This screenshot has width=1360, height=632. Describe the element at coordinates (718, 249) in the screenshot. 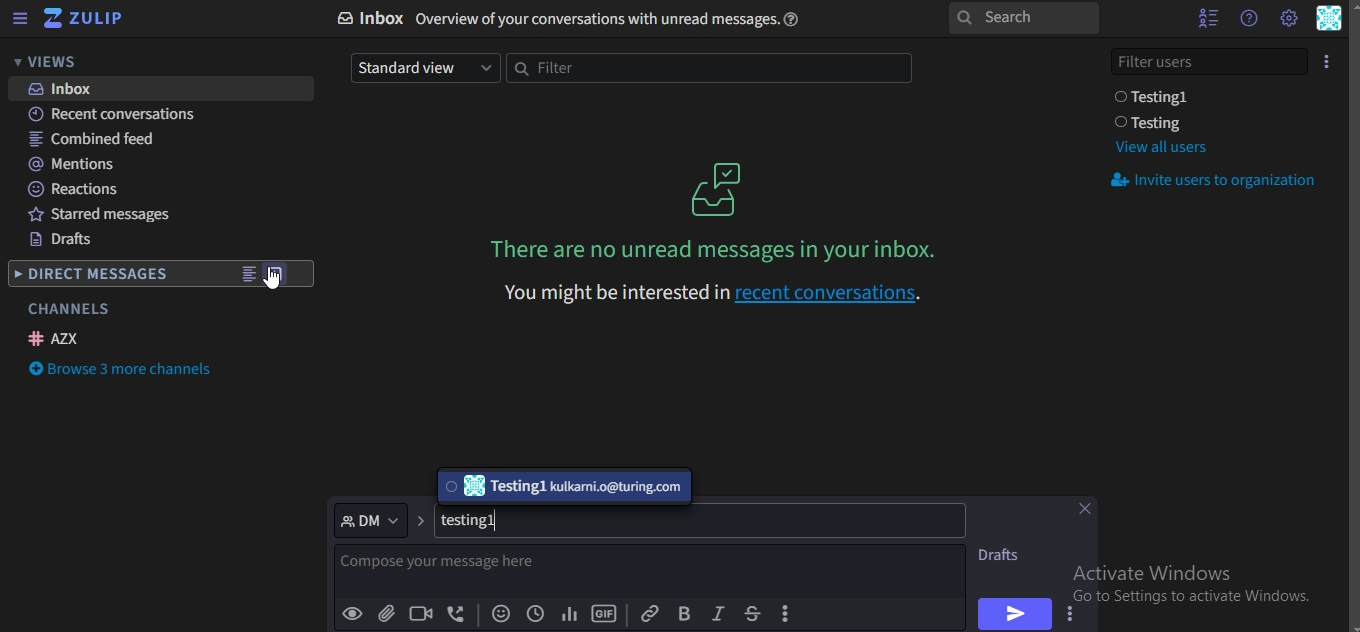

I see `There are no unread messages in your inbox.` at that location.